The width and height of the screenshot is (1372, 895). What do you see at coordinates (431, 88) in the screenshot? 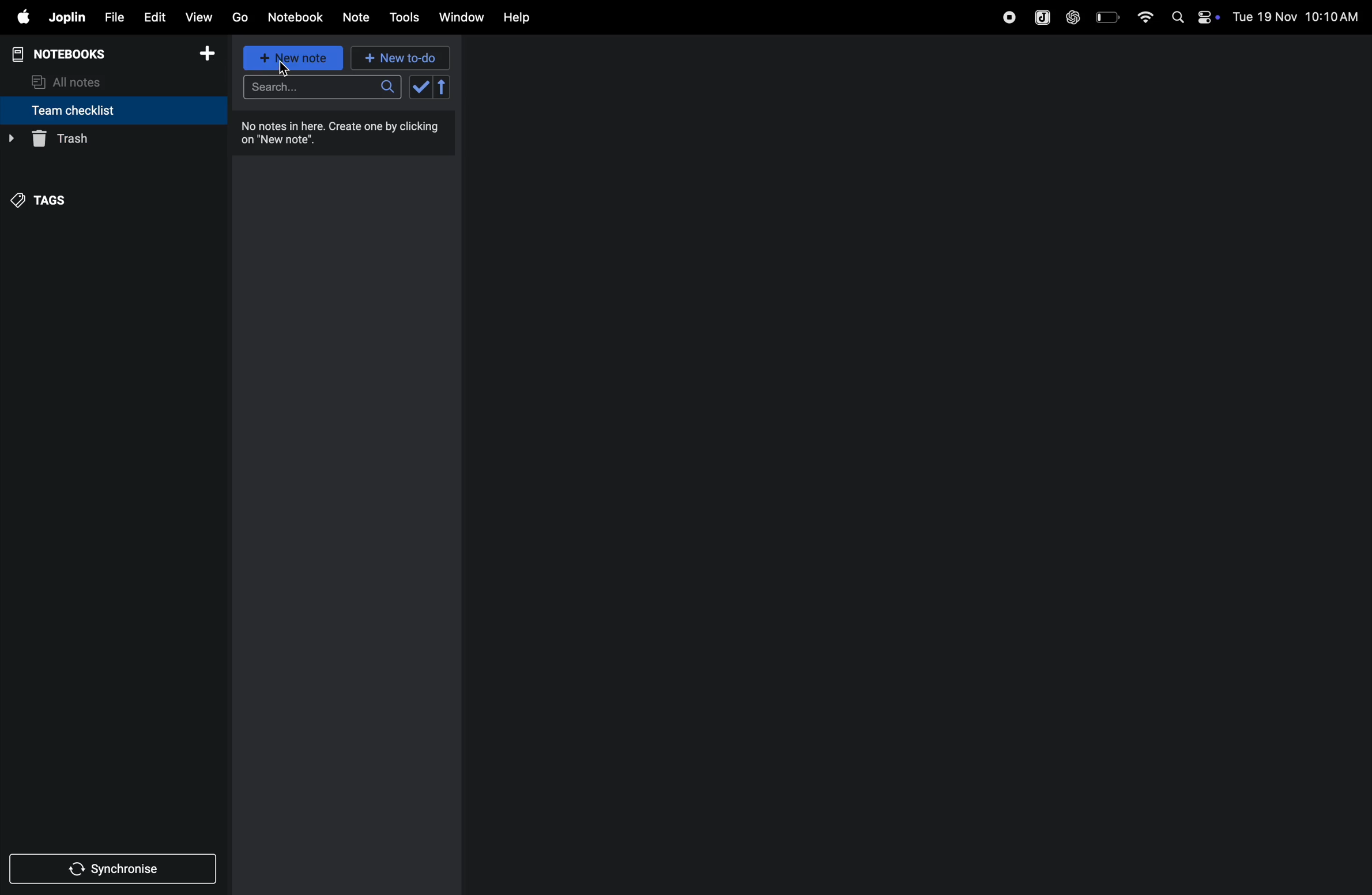
I see `check` at bounding box center [431, 88].